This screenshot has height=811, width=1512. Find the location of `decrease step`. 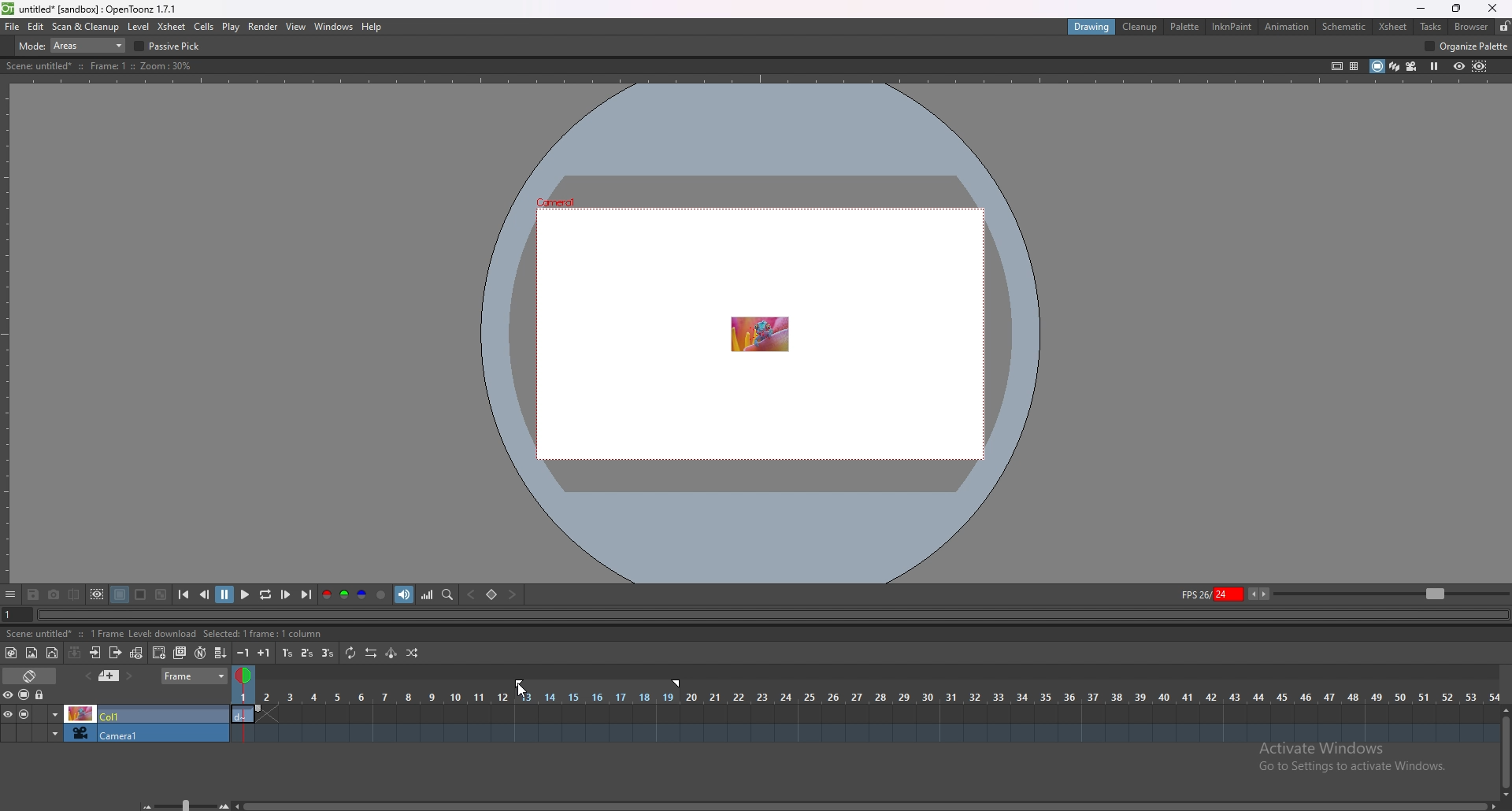

decrease step is located at coordinates (243, 653).